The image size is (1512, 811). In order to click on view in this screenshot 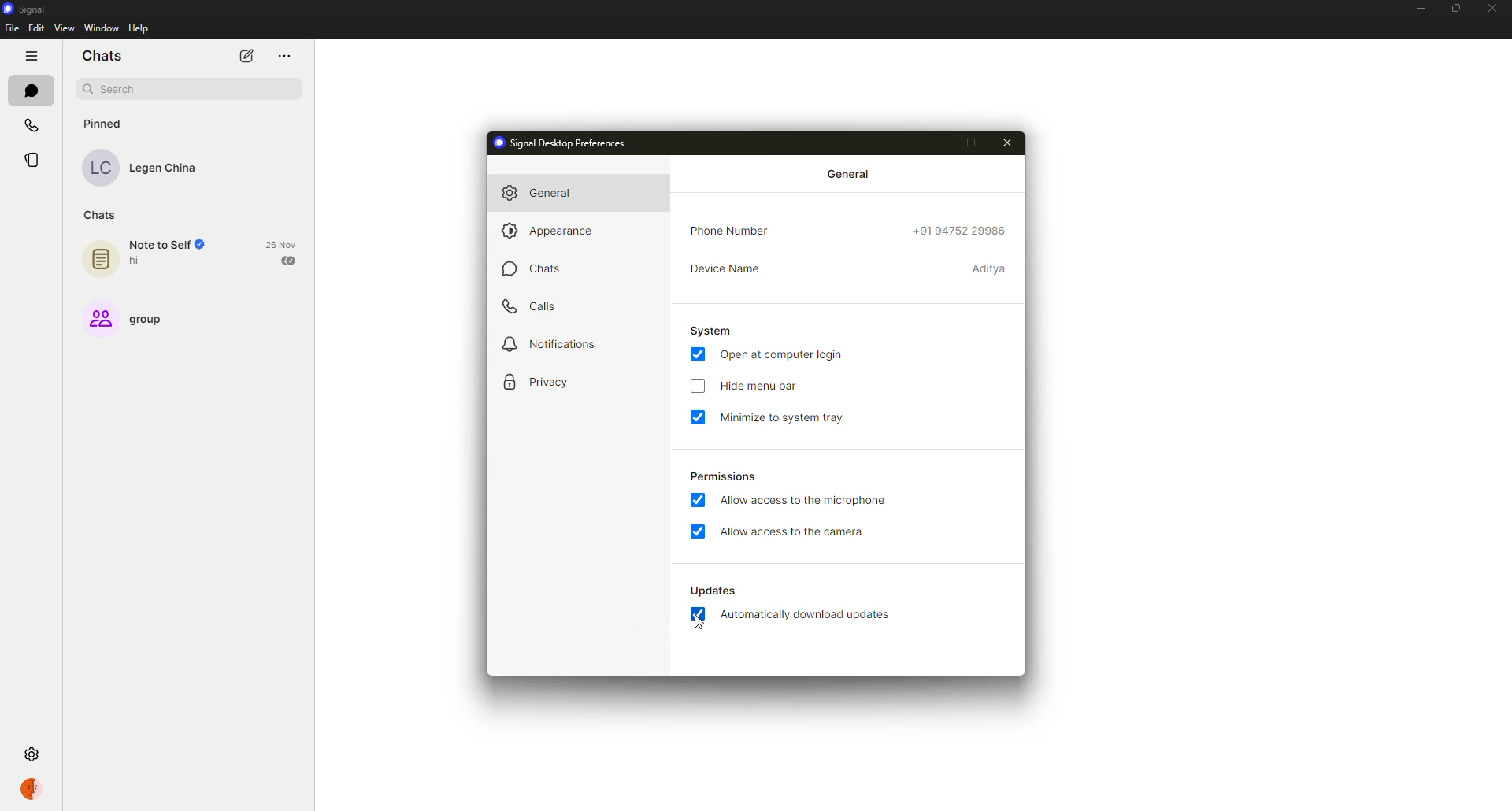, I will do `click(65, 28)`.